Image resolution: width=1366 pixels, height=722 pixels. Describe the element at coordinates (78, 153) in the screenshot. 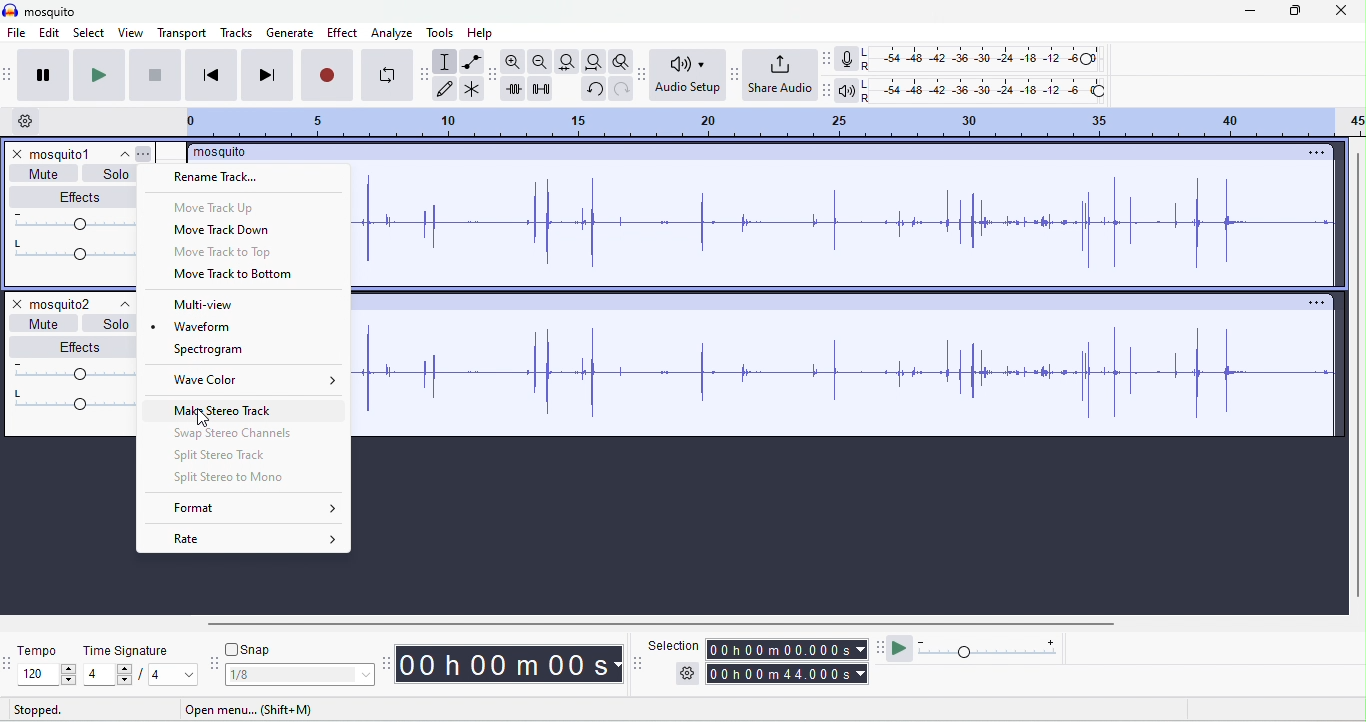

I see `track1` at that location.